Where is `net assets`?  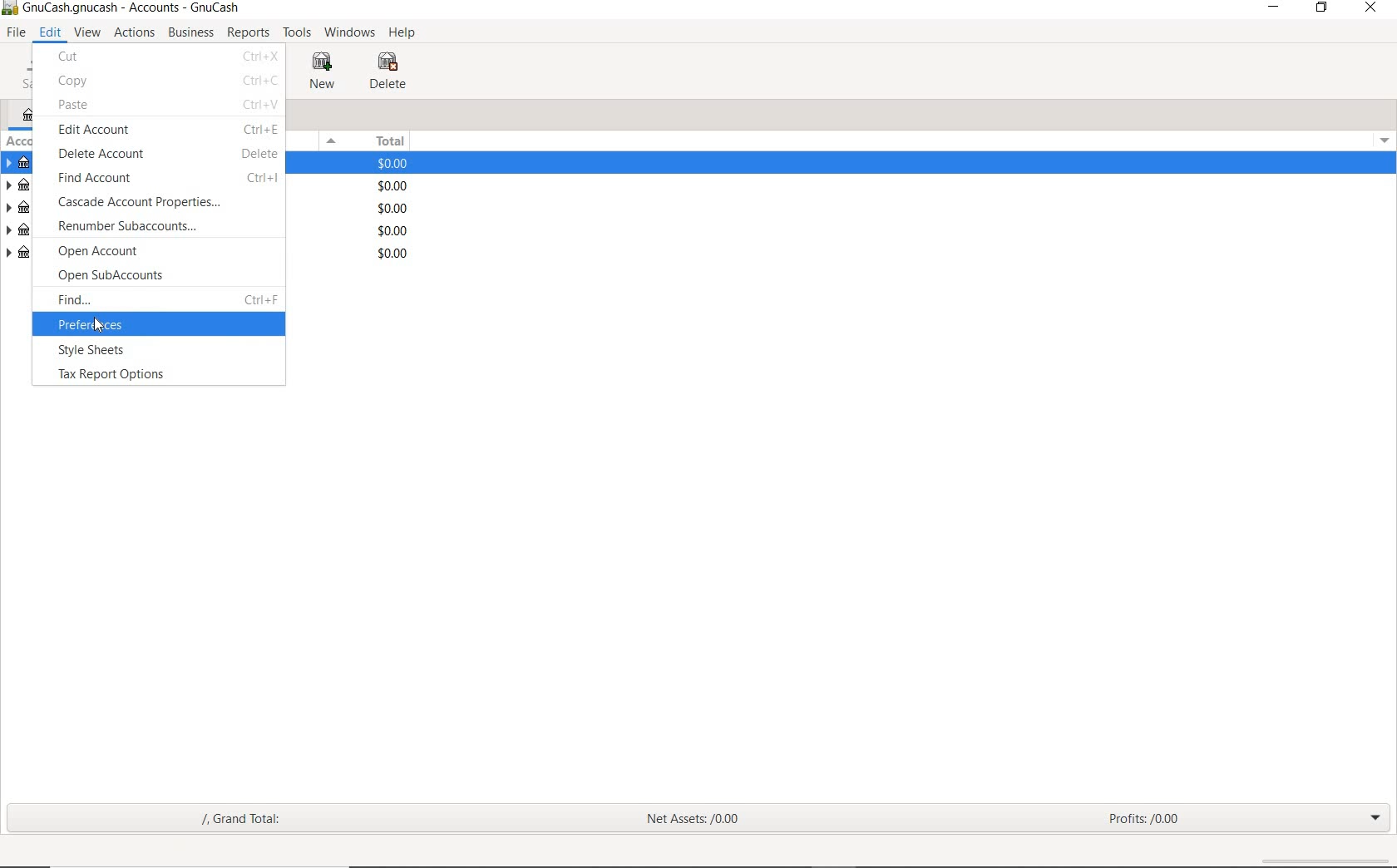
net assets is located at coordinates (690, 818).